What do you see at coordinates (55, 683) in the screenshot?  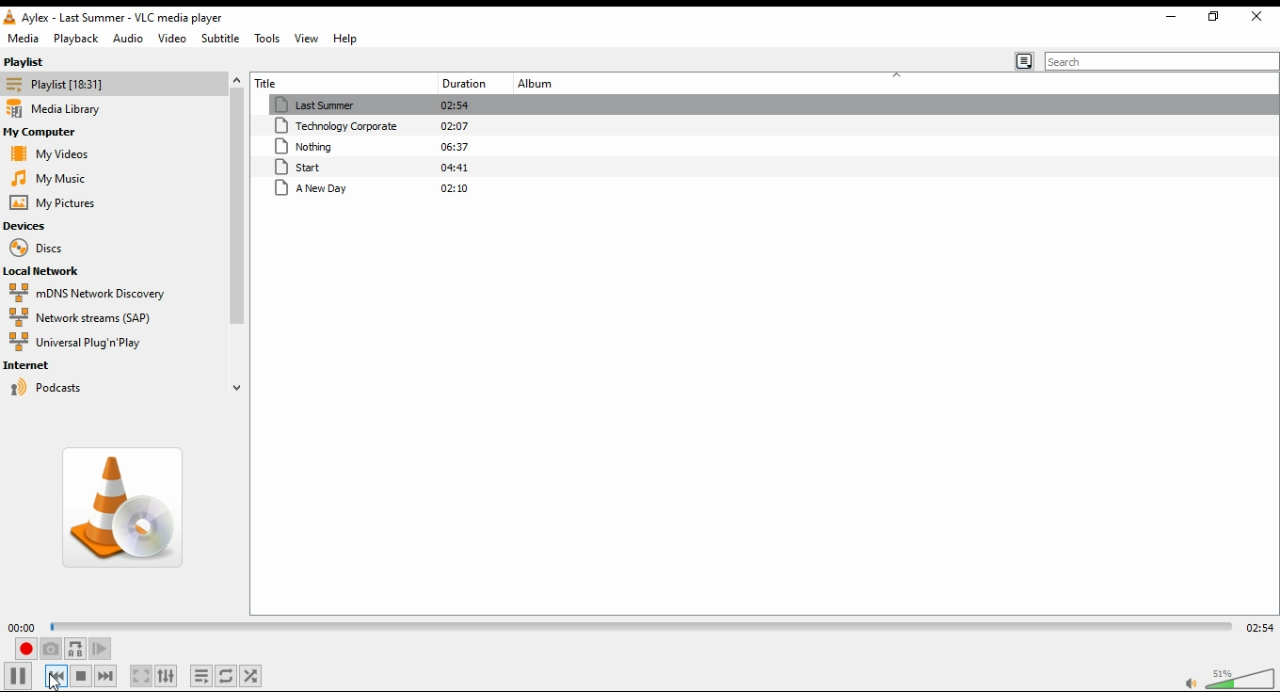 I see `cursor` at bounding box center [55, 683].